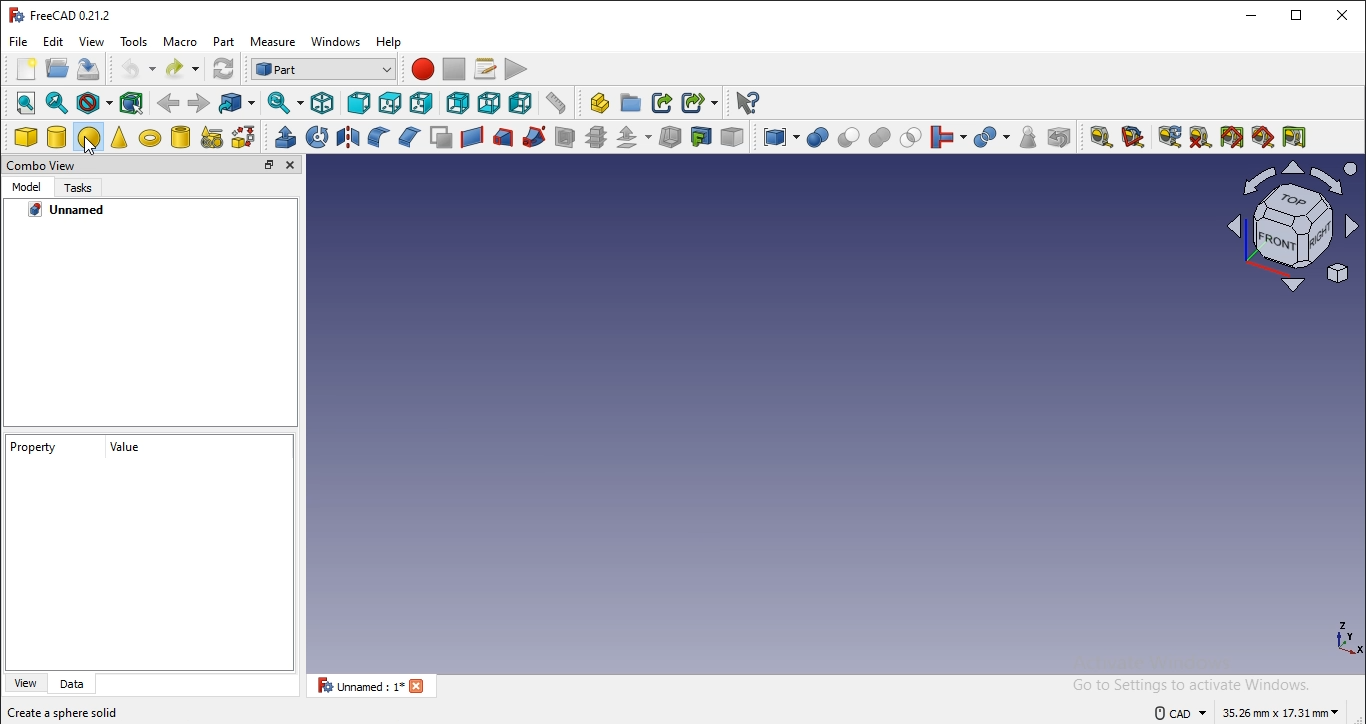 The width and height of the screenshot is (1366, 724). I want to click on data, so click(72, 685).